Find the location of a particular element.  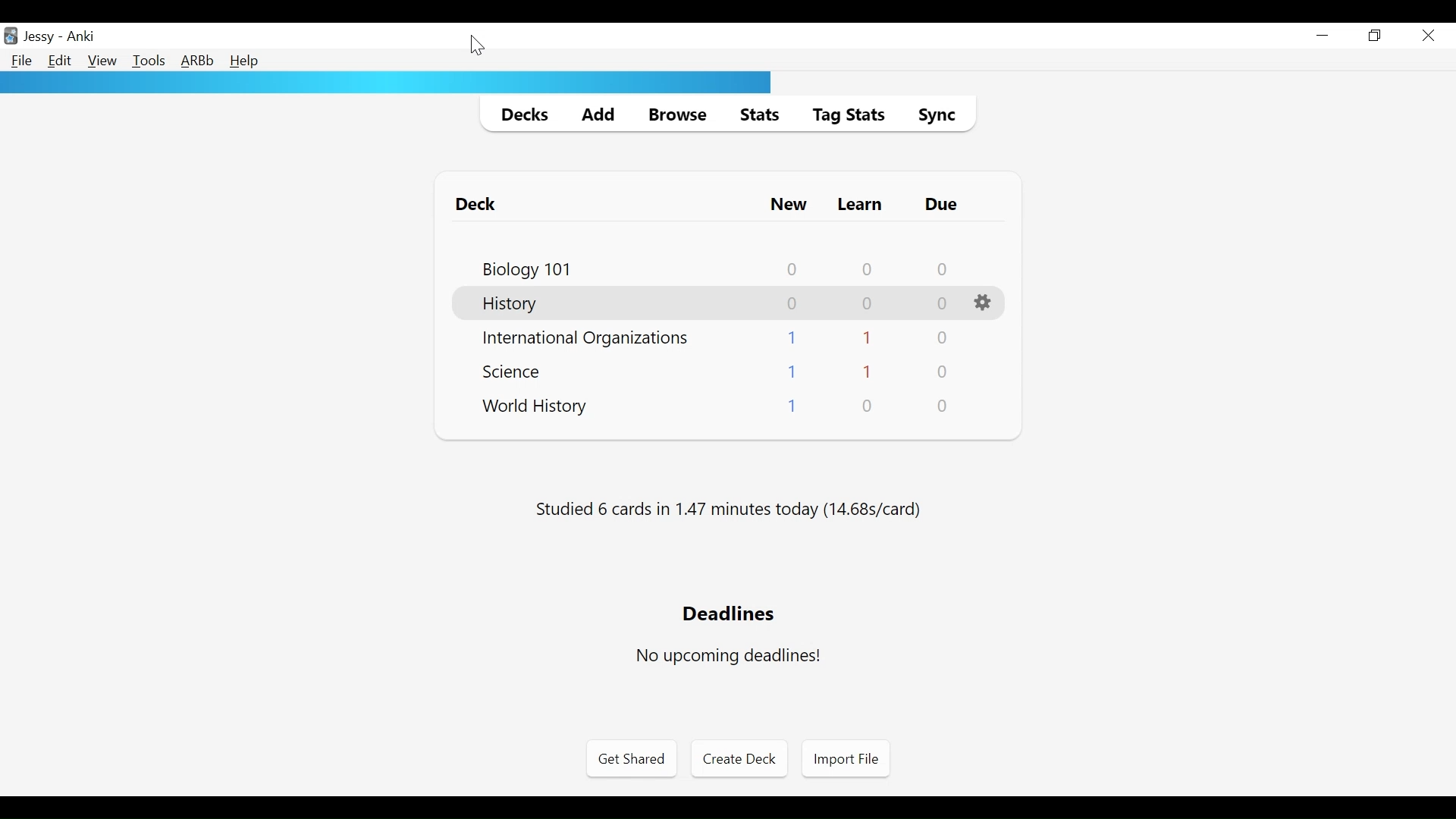

Edit is located at coordinates (61, 62).